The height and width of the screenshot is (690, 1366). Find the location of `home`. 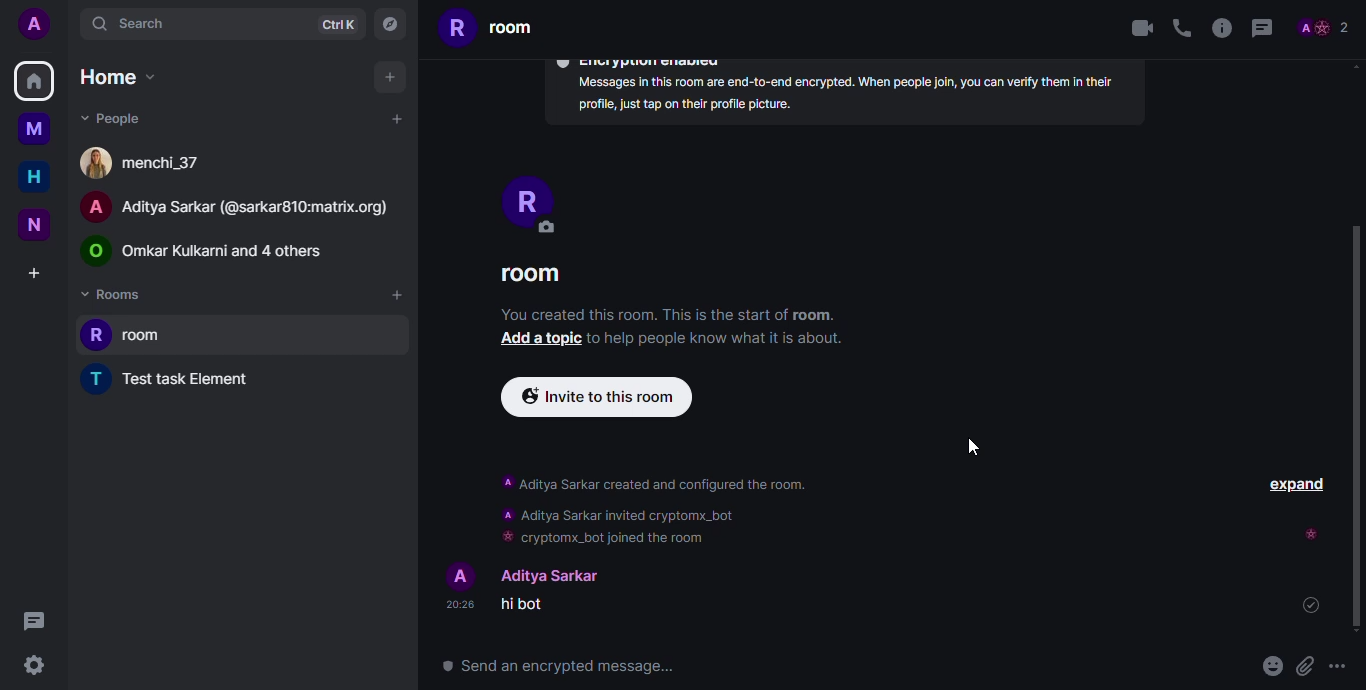

home is located at coordinates (119, 76).